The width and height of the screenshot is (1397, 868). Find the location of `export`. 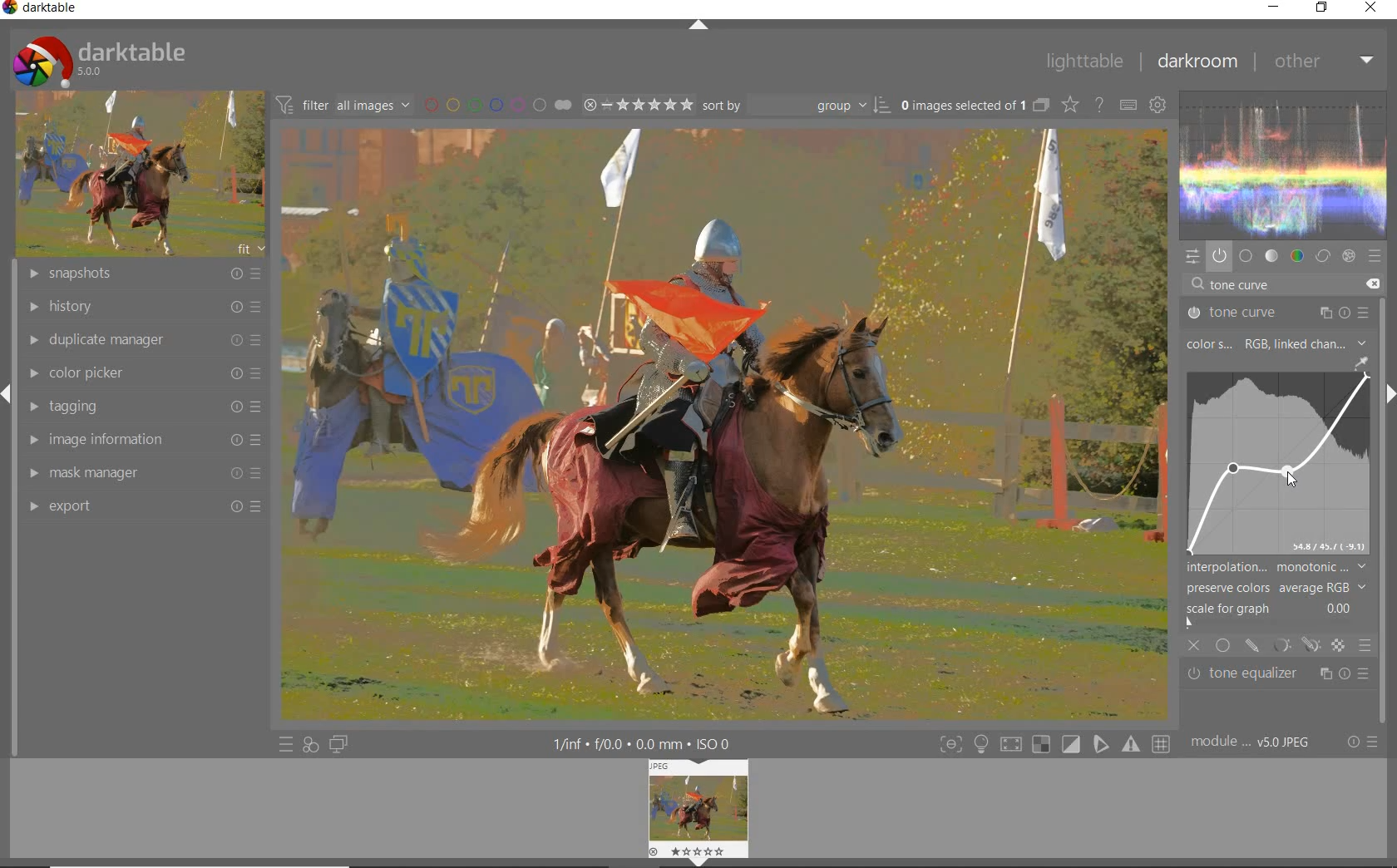

export is located at coordinates (141, 506).